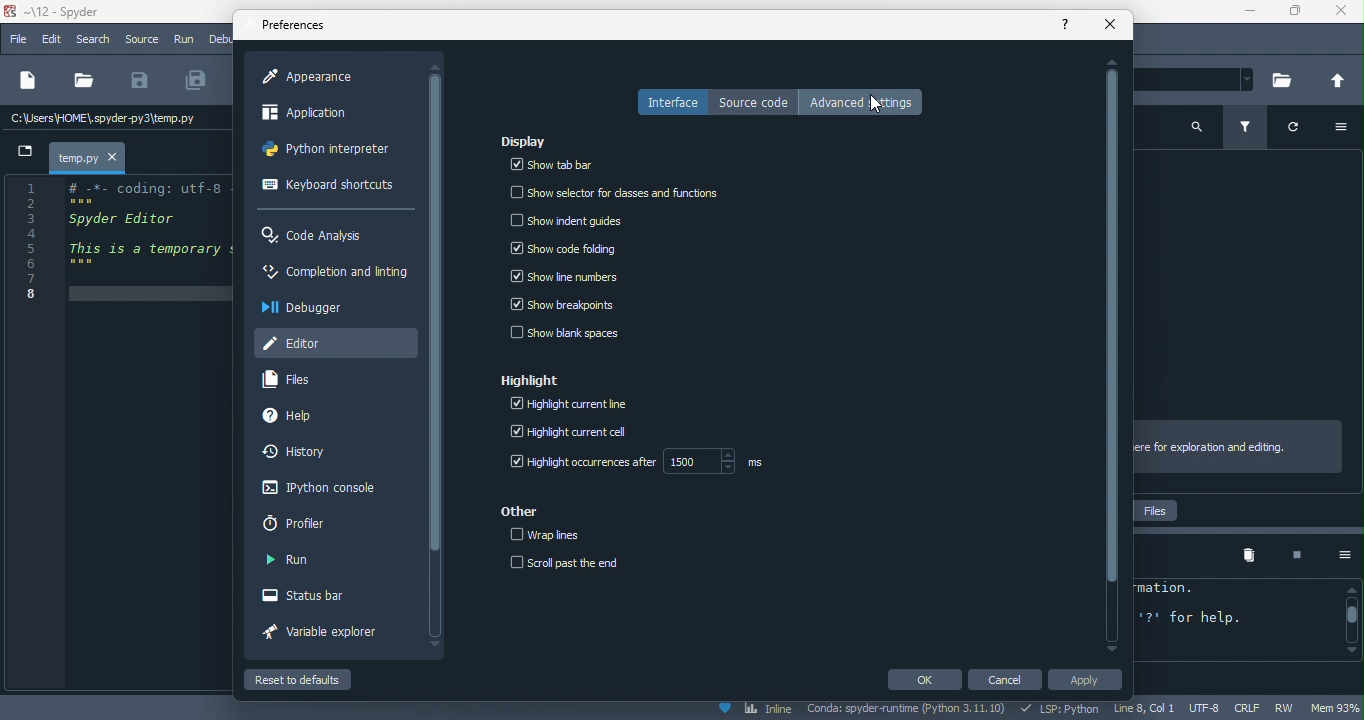 The height and width of the screenshot is (720, 1364). What do you see at coordinates (540, 383) in the screenshot?
I see `highlight` at bounding box center [540, 383].